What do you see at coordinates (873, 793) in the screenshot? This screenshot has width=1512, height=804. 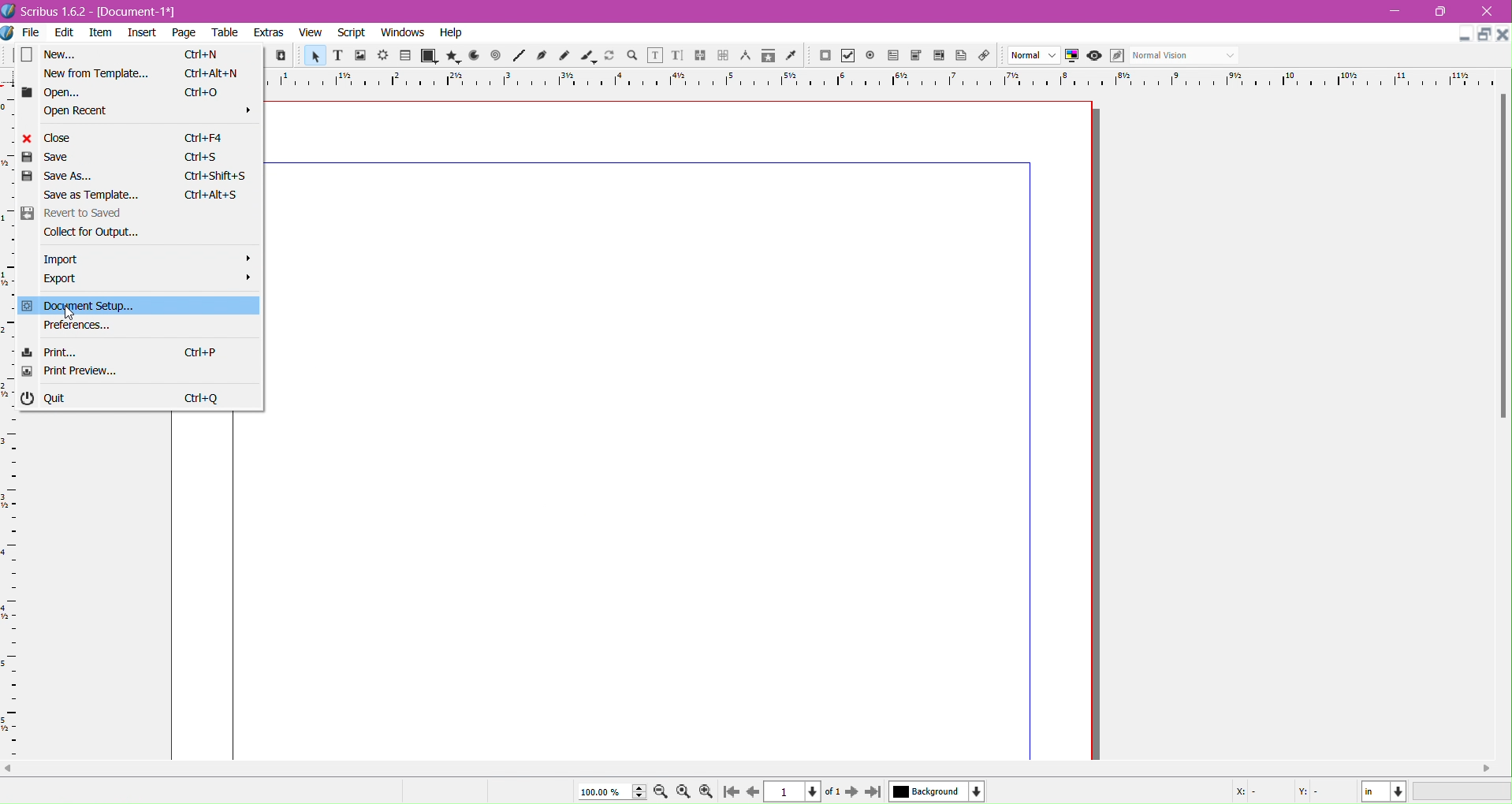 I see `go to last page` at bounding box center [873, 793].